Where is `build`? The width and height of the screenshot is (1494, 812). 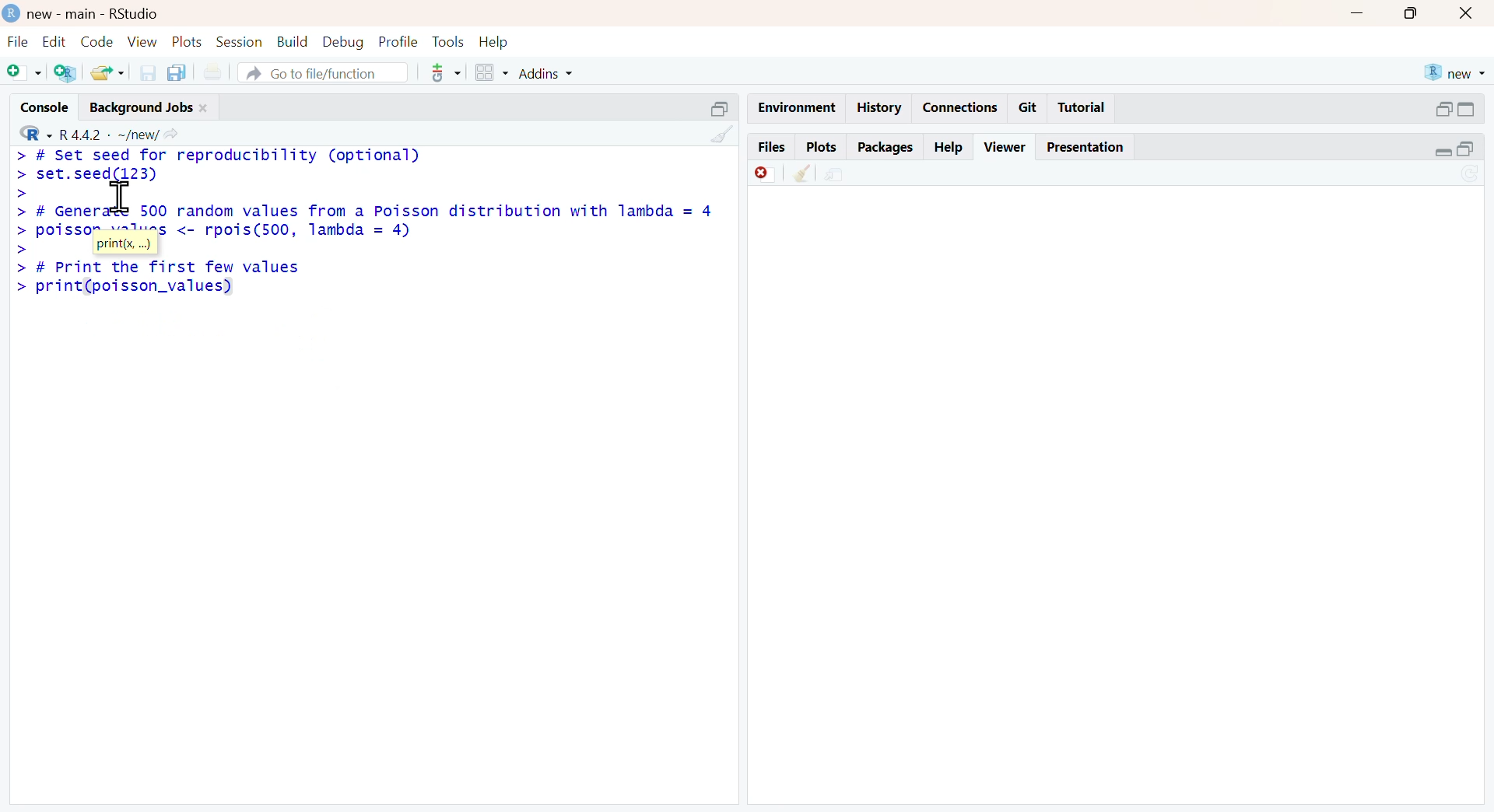 build is located at coordinates (293, 40).